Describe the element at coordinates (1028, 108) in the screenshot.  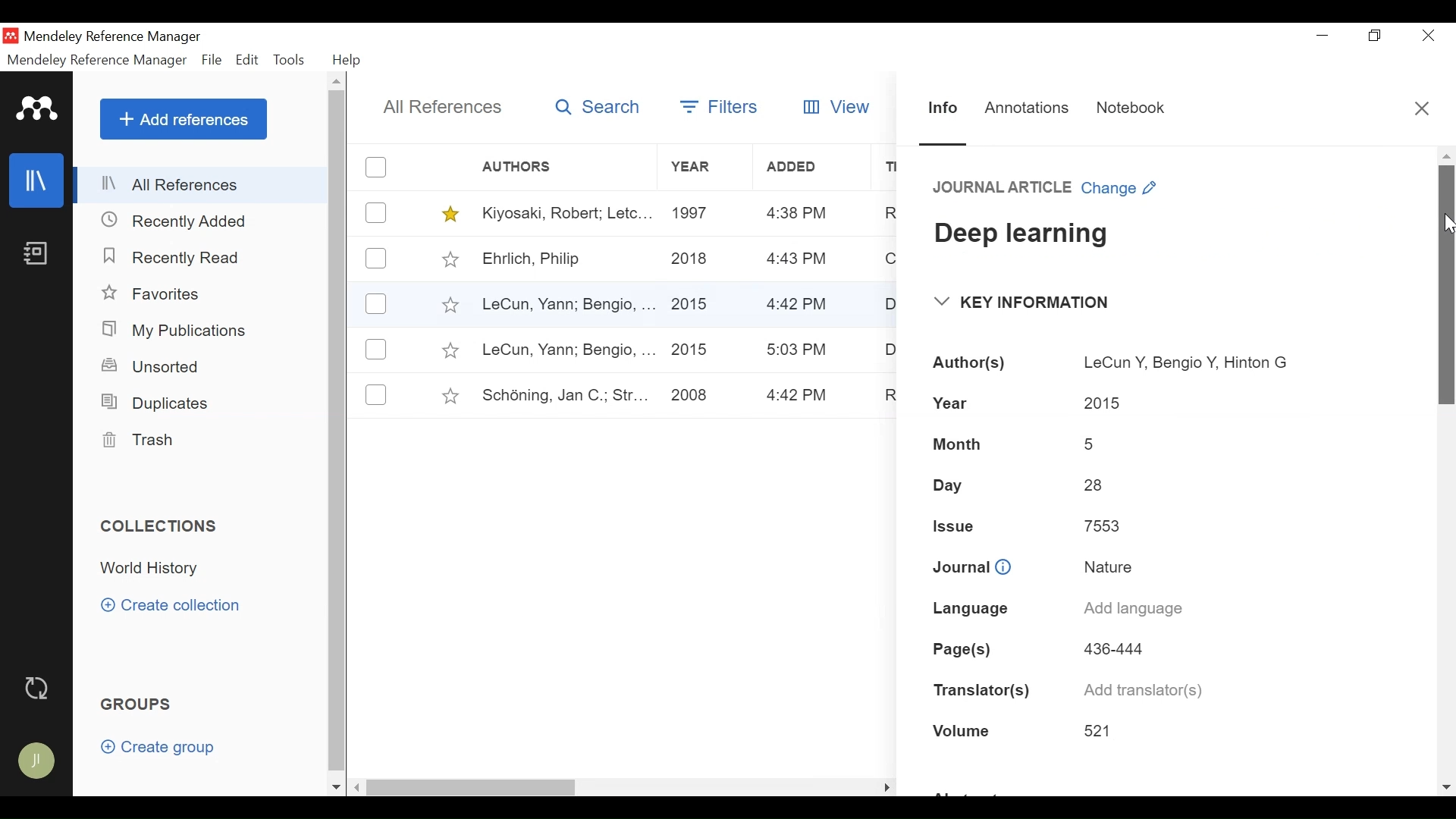
I see `Annotations` at that location.